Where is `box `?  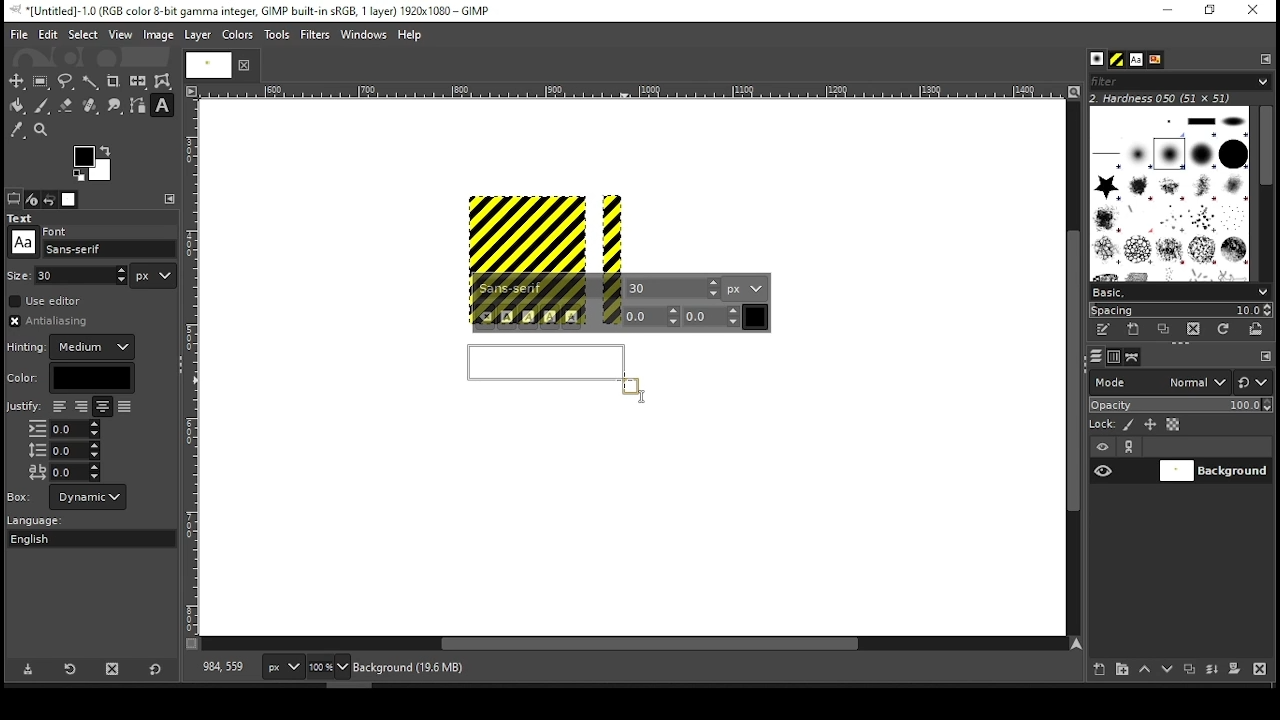 box  is located at coordinates (88, 497).